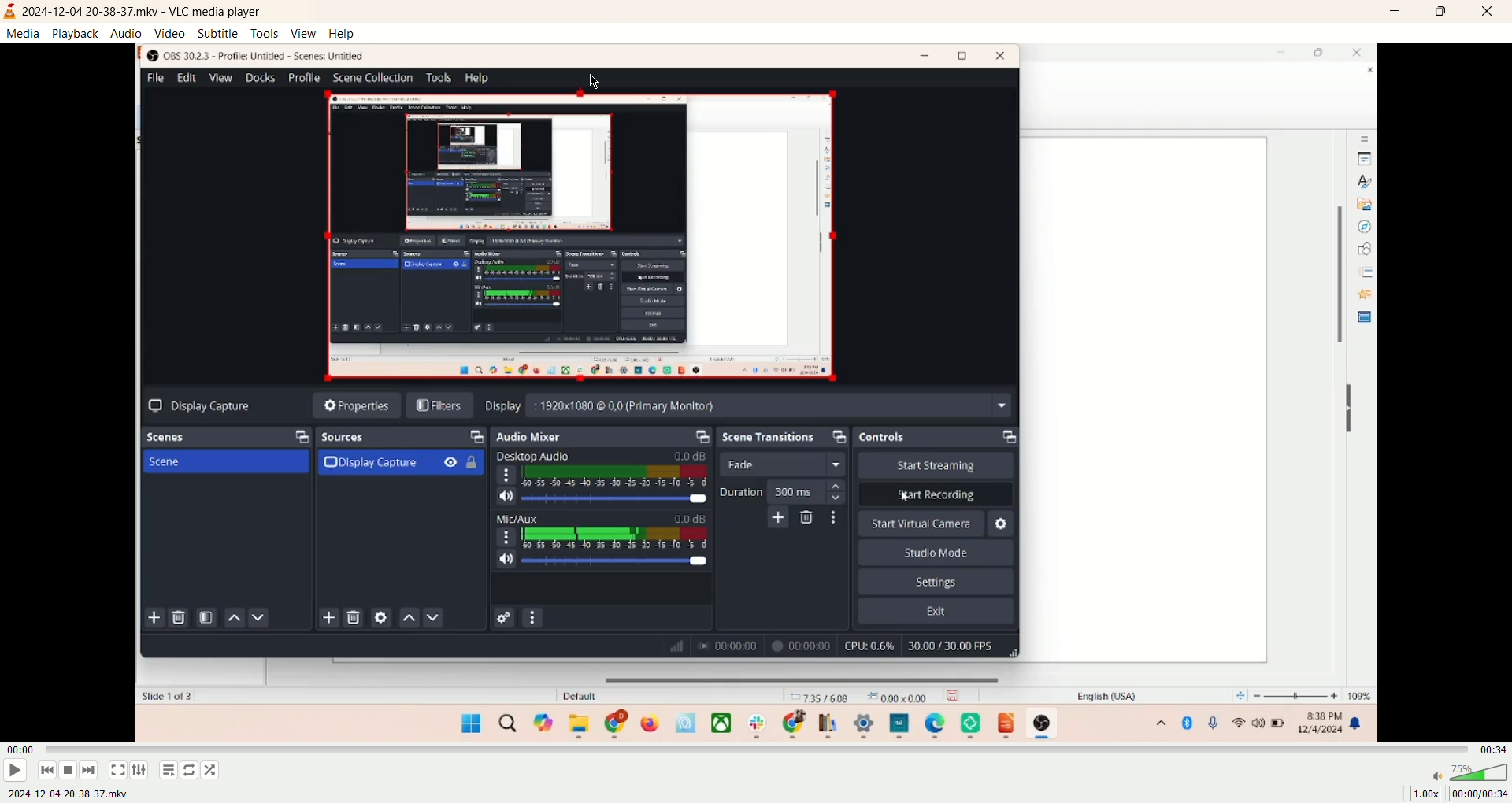 The height and width of the screenshot is (803, 1512). What do you see at coordinates (13, 770) in the screenshot?
I see `play/pause` at bounding box center [13, 770].